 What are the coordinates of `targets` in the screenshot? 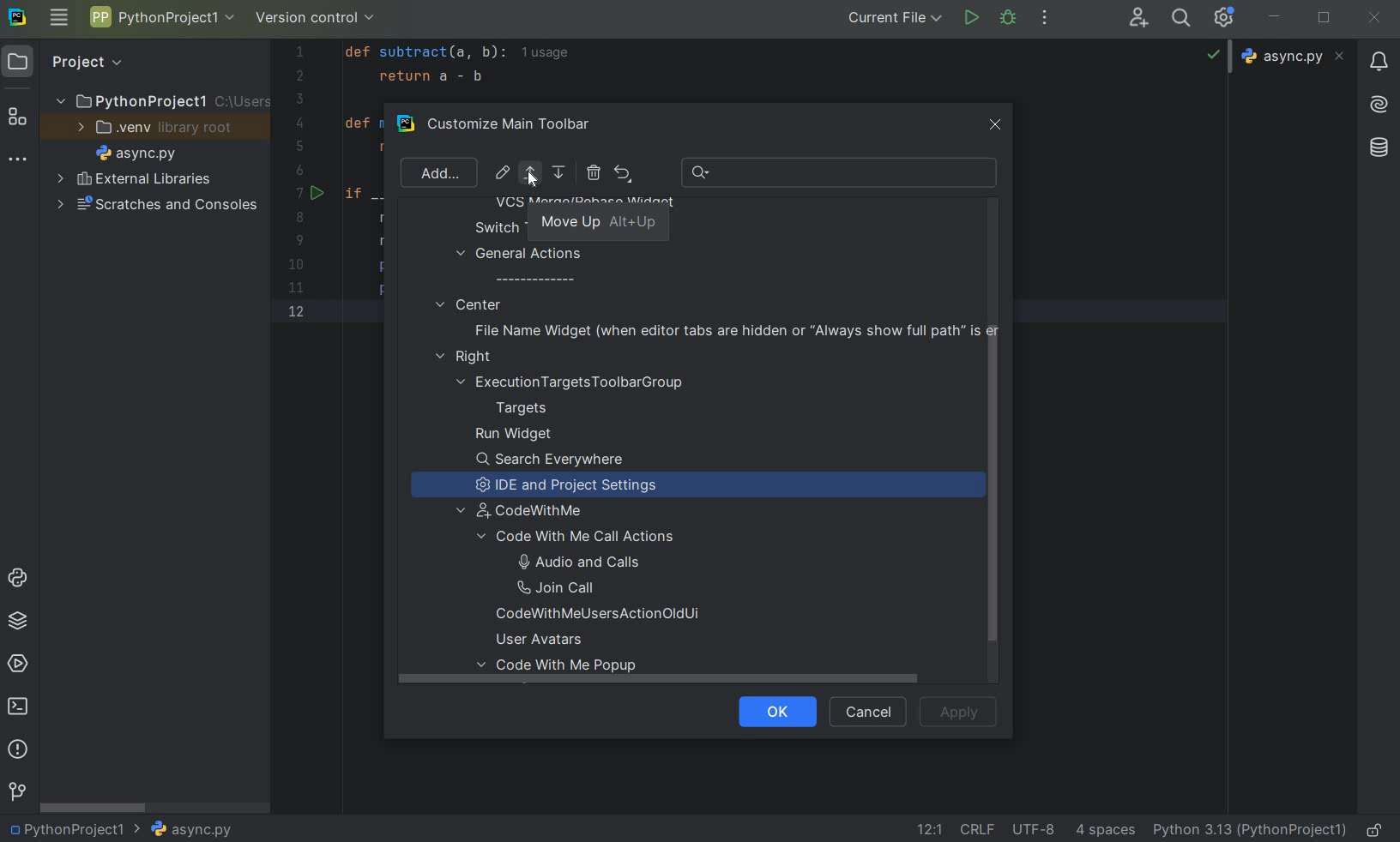 It's located at (533, 408).